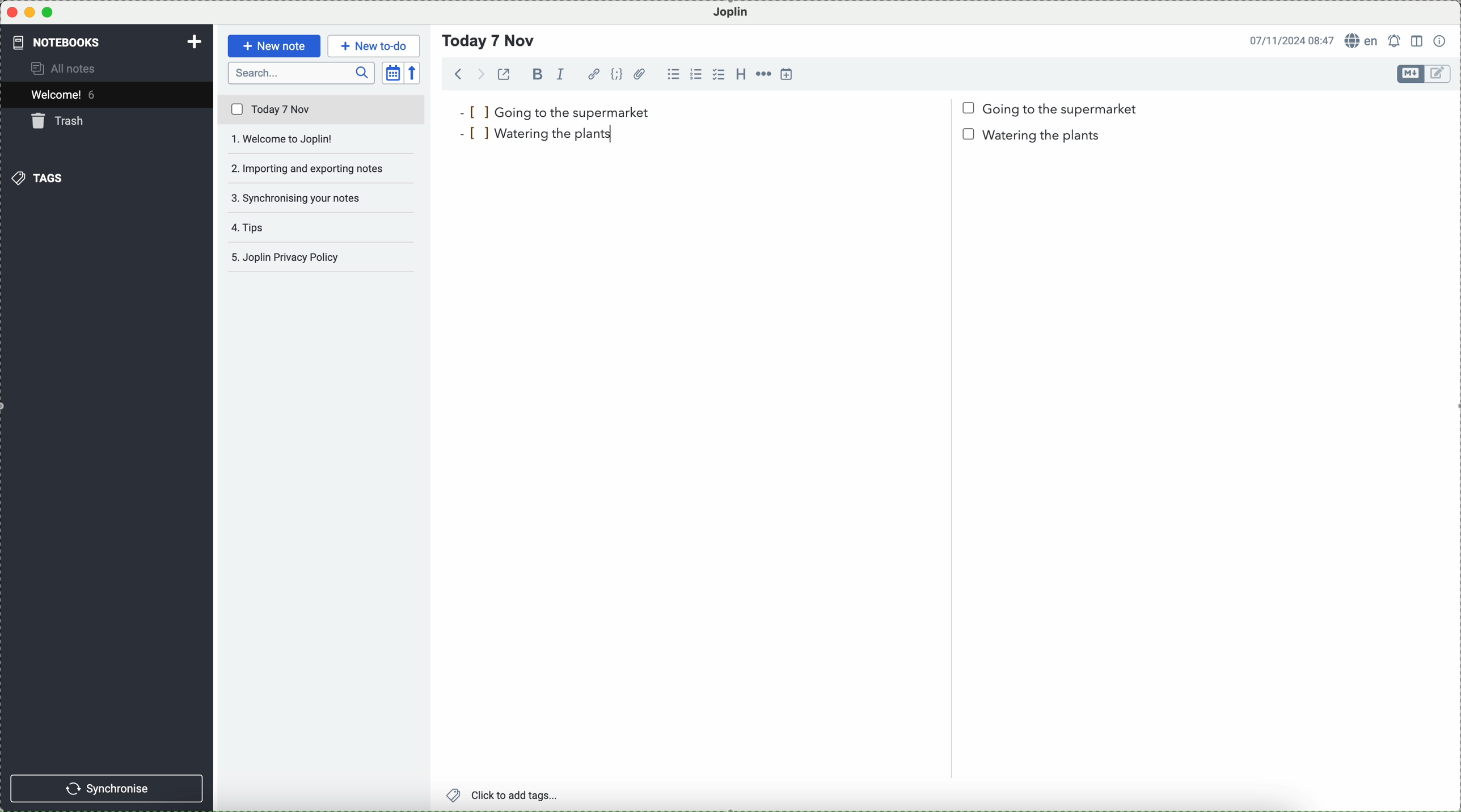  I want to click on trash, so click(60, 121).